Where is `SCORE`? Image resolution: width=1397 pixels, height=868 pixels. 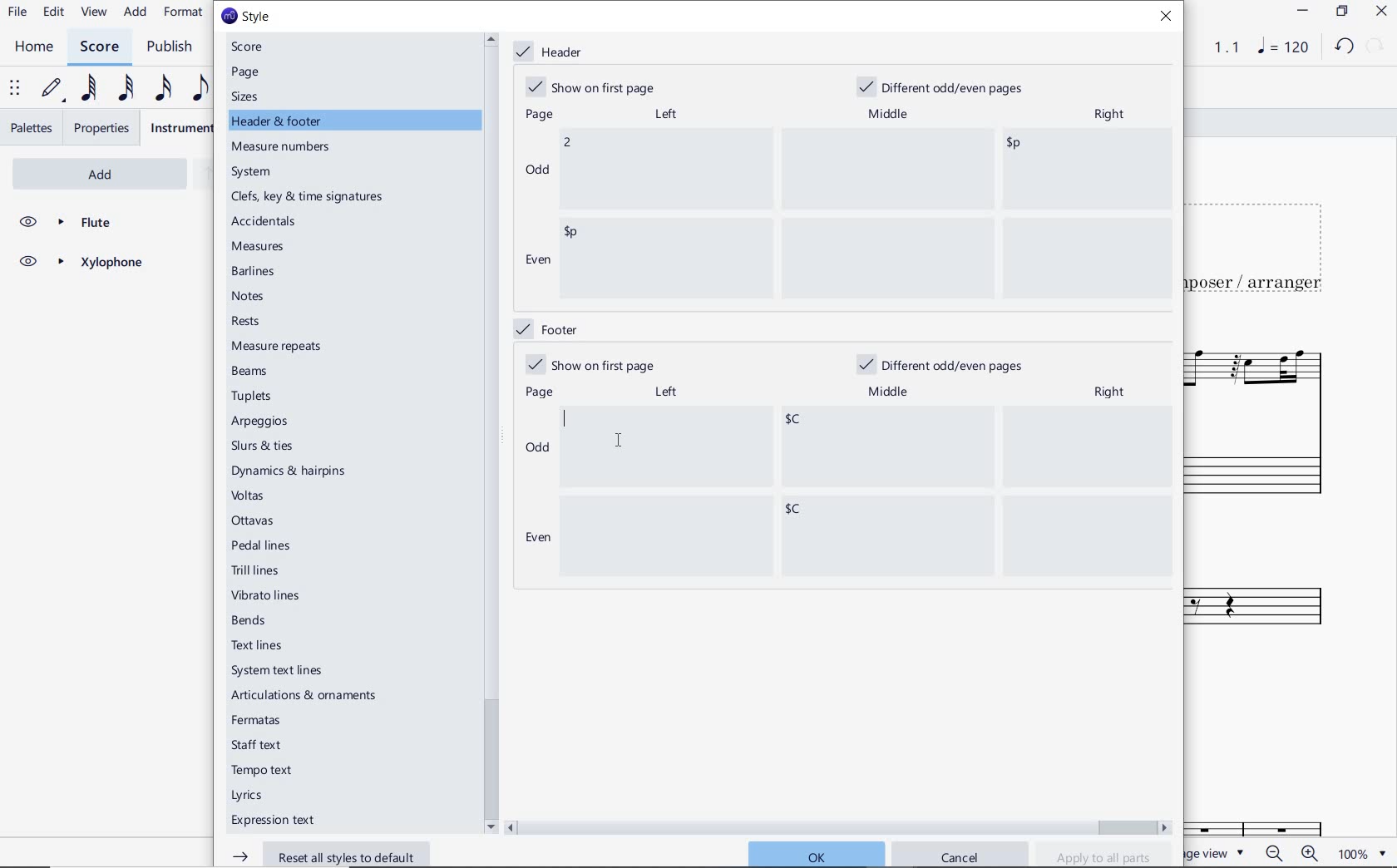 SCORE is located at coordinates (98, 46).